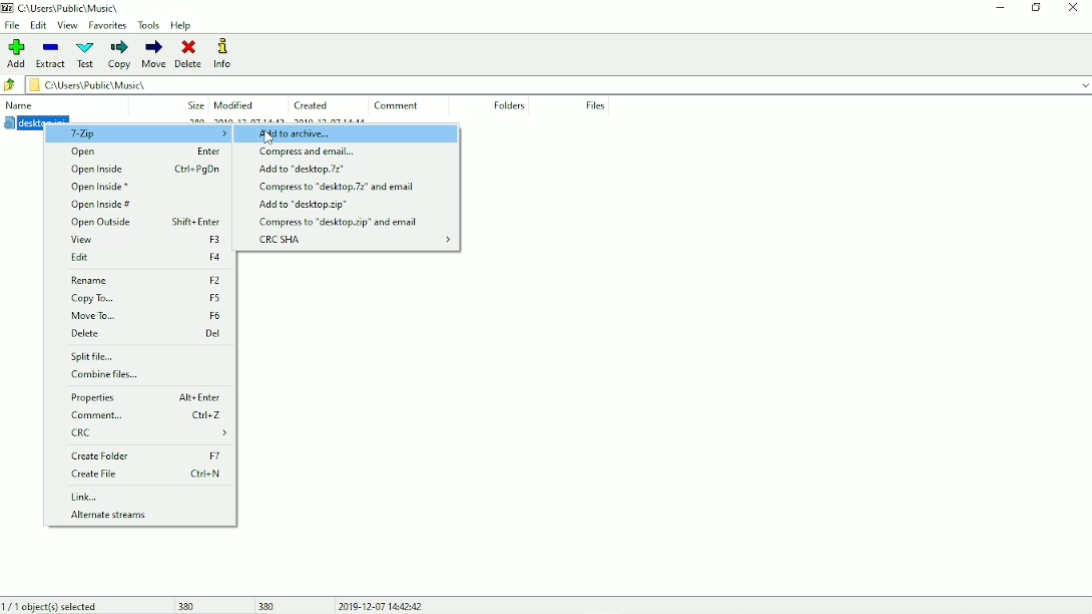 This screenshot has height=614, width=1092. What do you see at coordinates (147, 456) in the screenshot?
I see `Create Folder` at bounding box center [147, 456].